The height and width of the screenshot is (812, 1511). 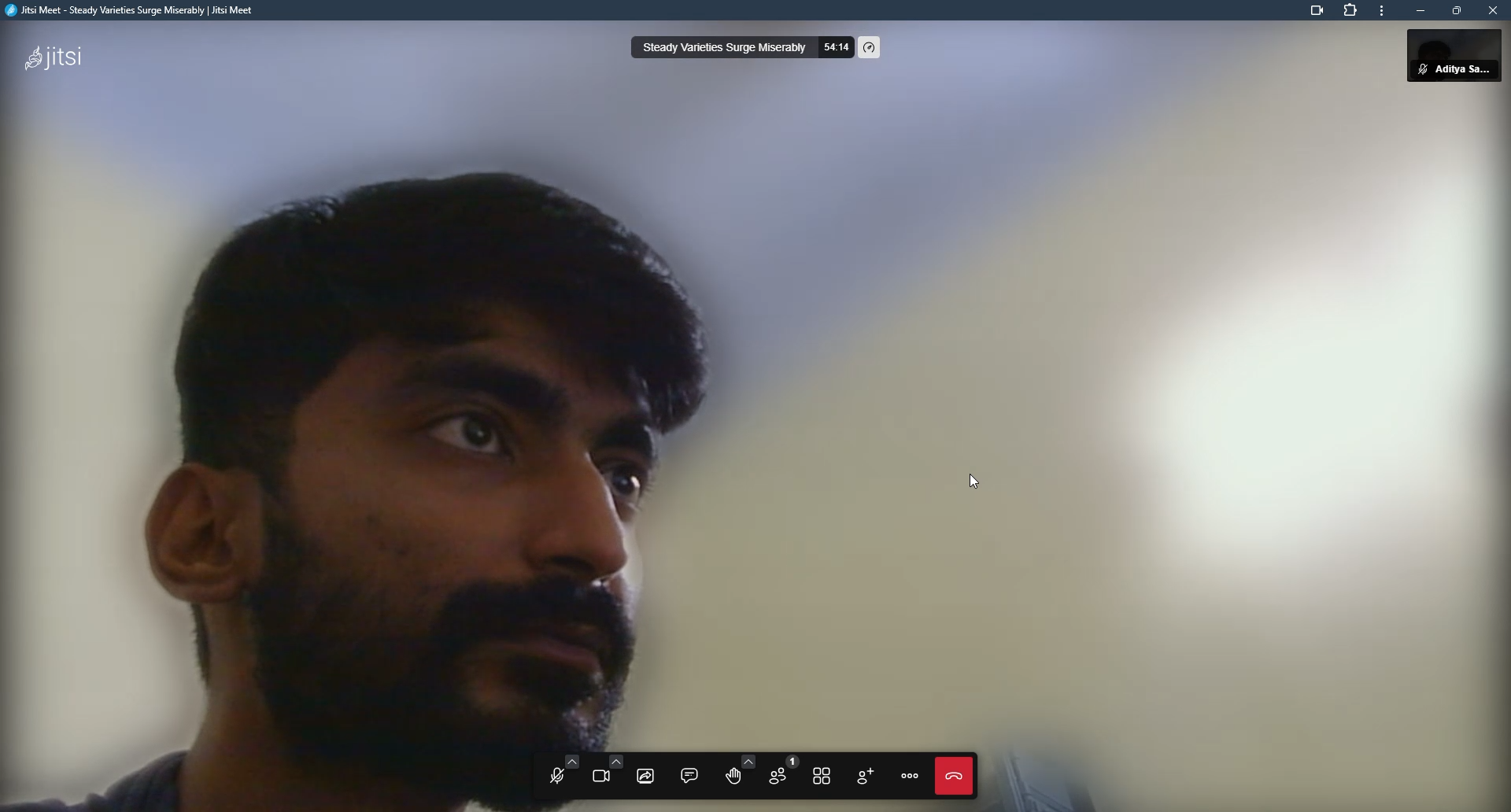 I want to click on invite people, so click(x=865, y=774).